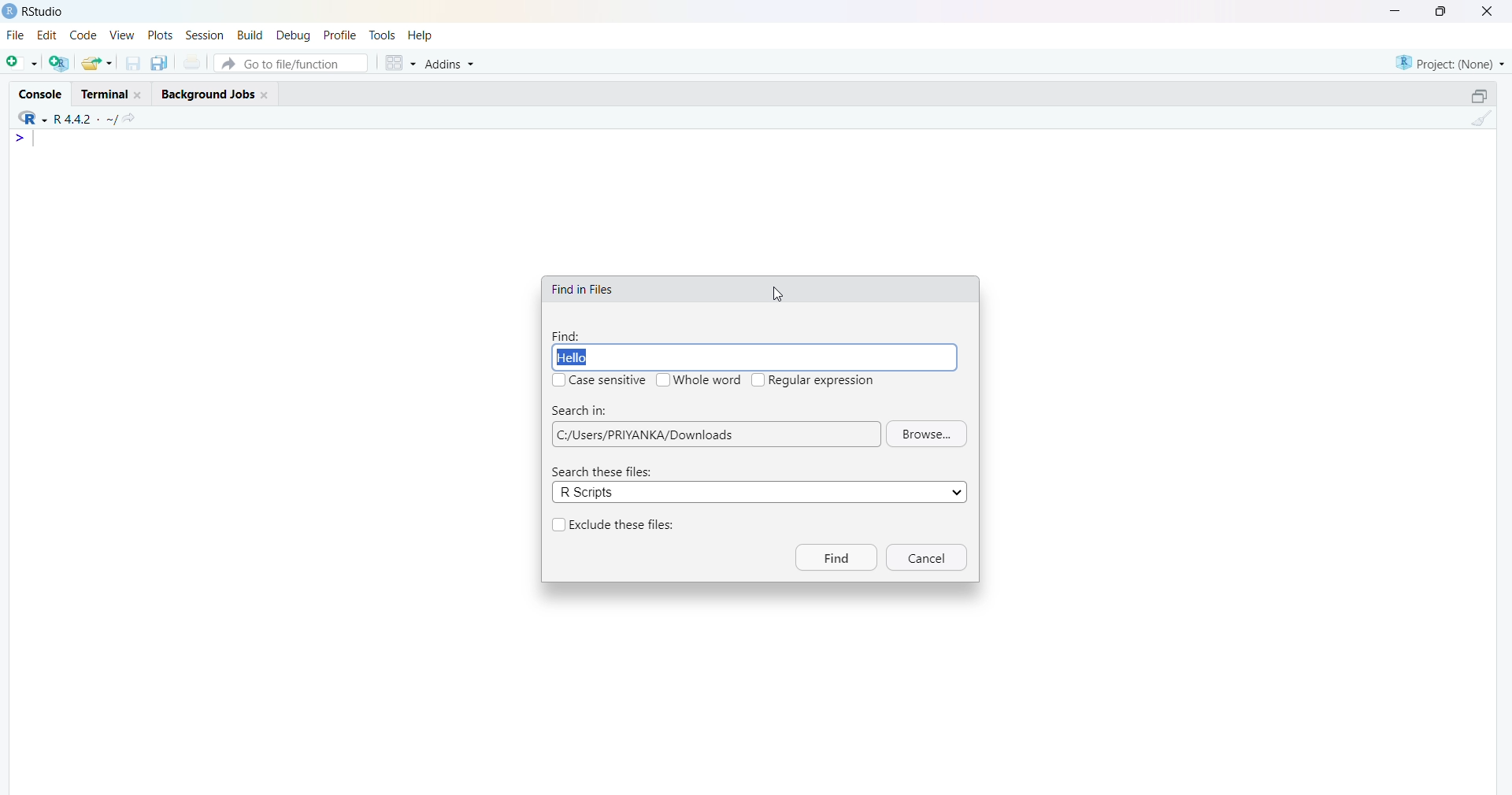  What do you see at coordinates (161, 63) in the screenshot?
I see `duplicate` at bounding box center [161, 63].